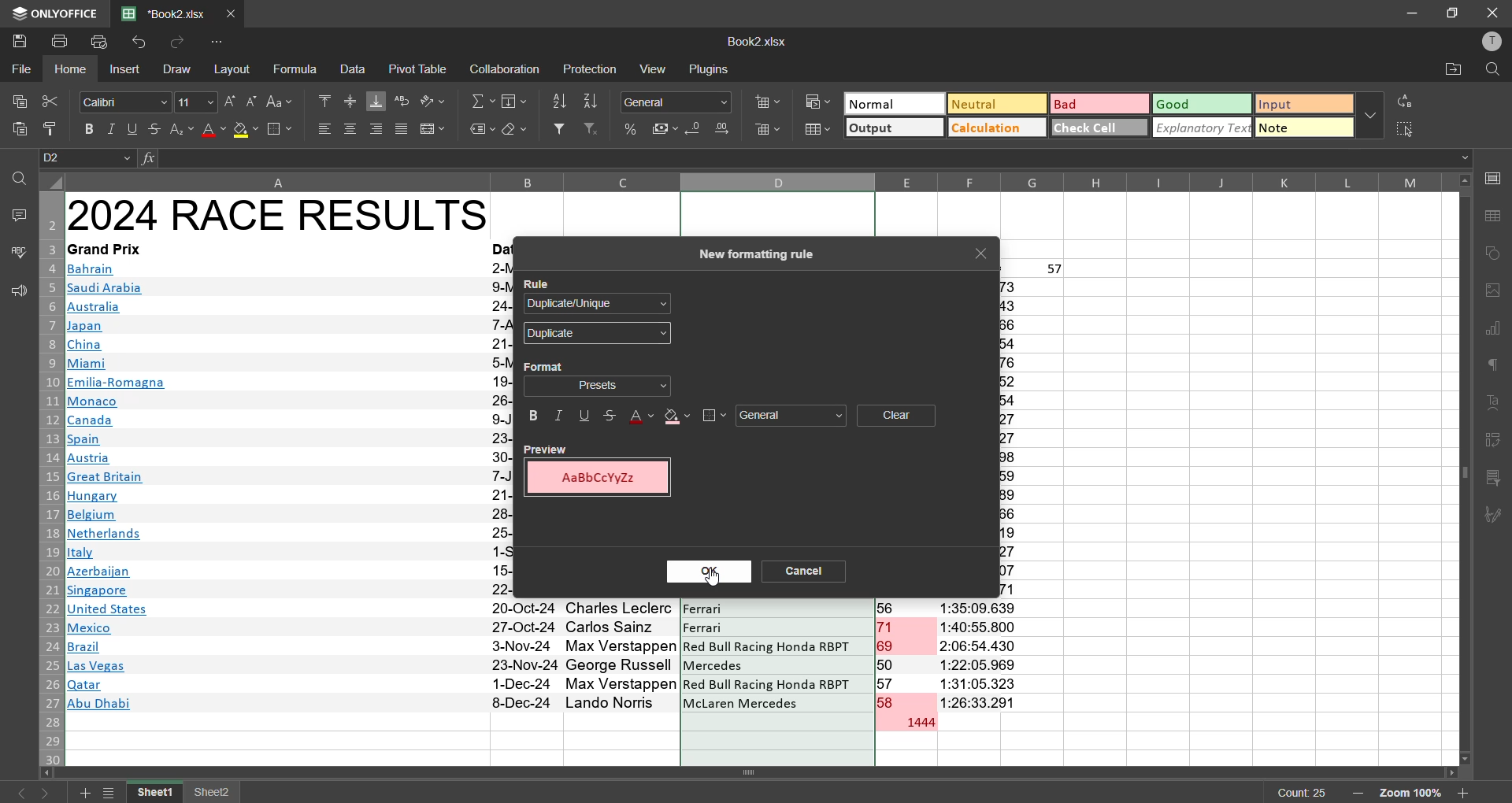 This screenshot has height=803, width=1512. I want to click on find, so click(19, 178).